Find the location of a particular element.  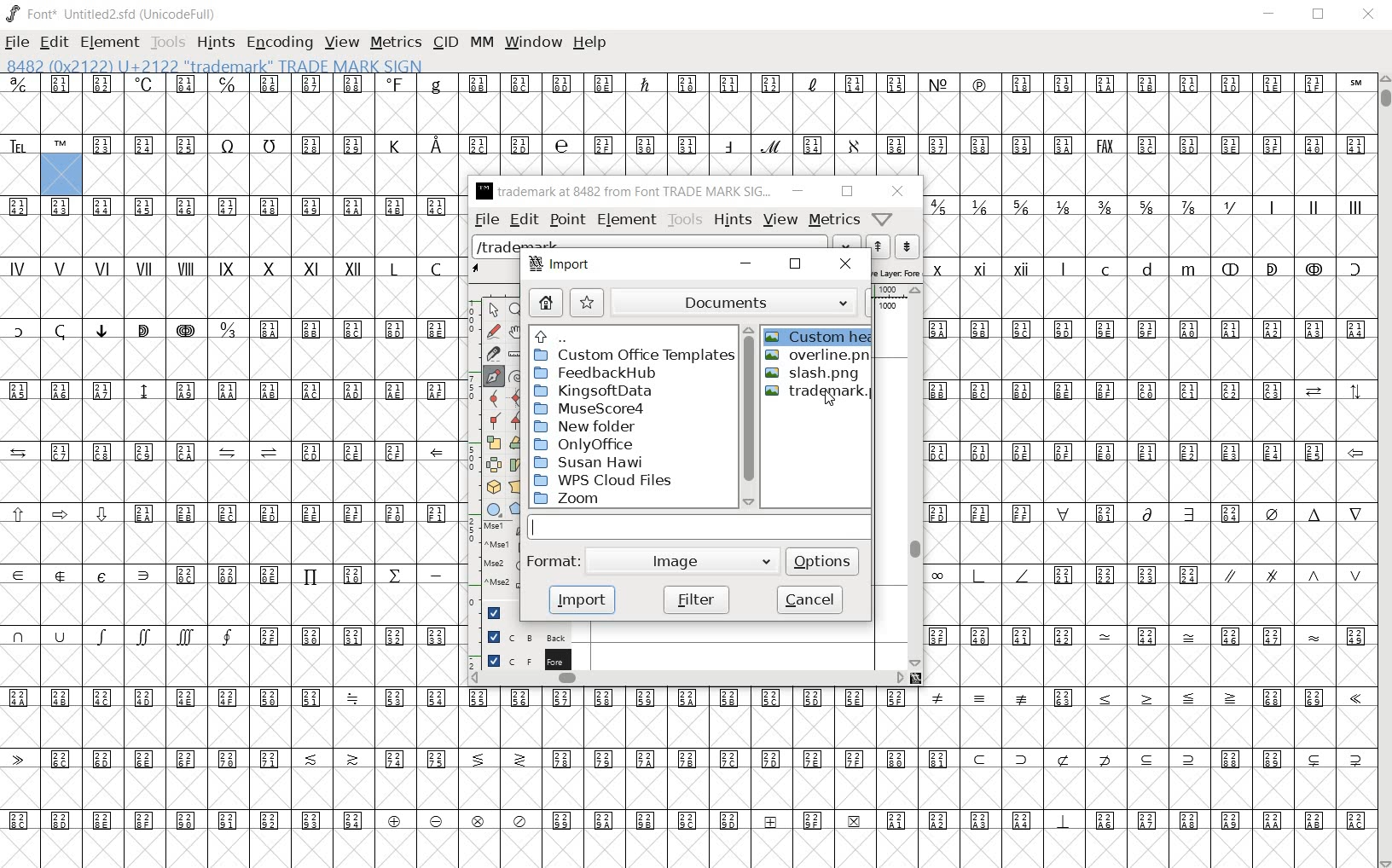

zoom is located at coordinates (632, 500).